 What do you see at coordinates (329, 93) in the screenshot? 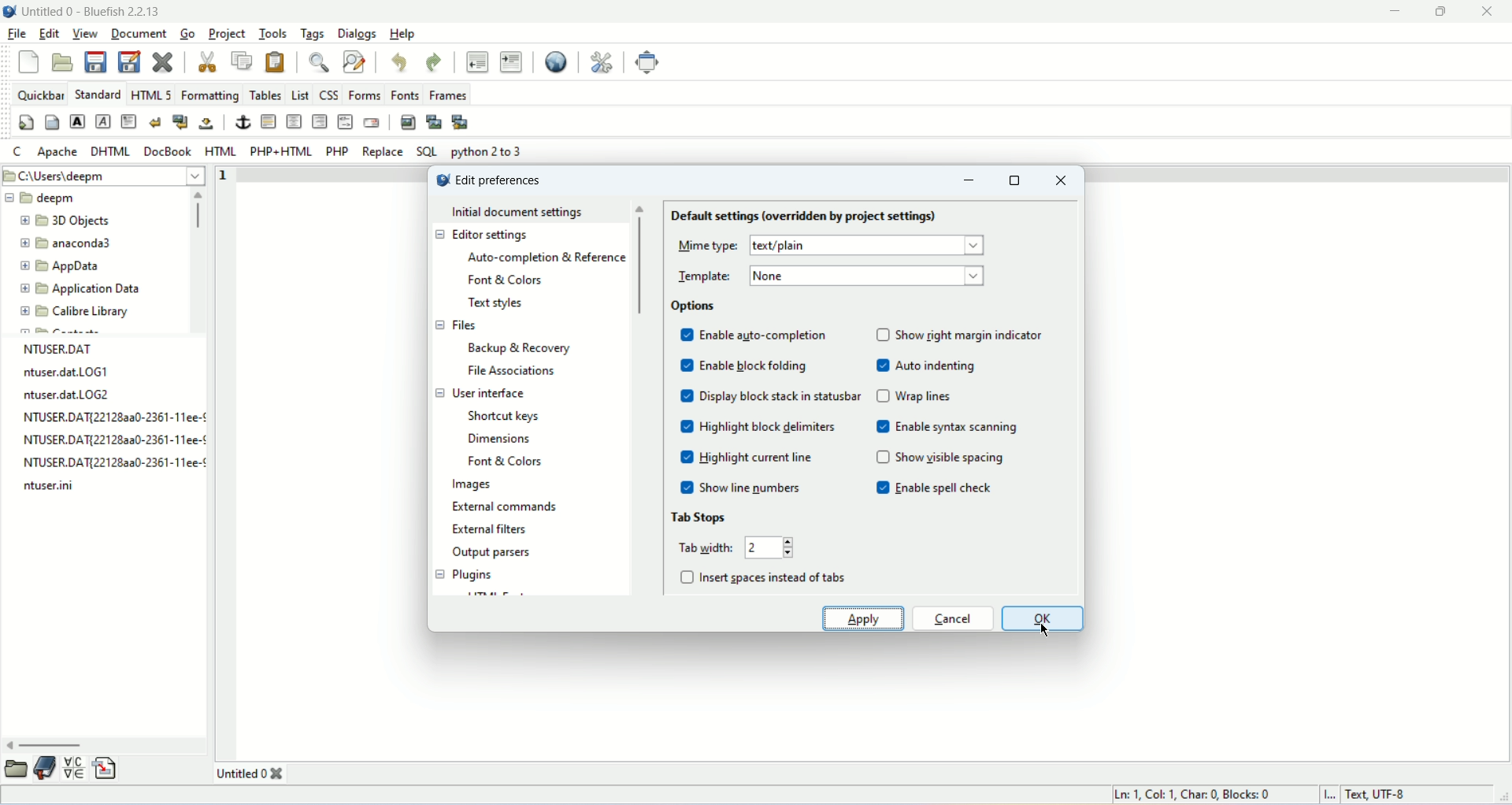
I see `CSS` at bounding box center [329, 93].